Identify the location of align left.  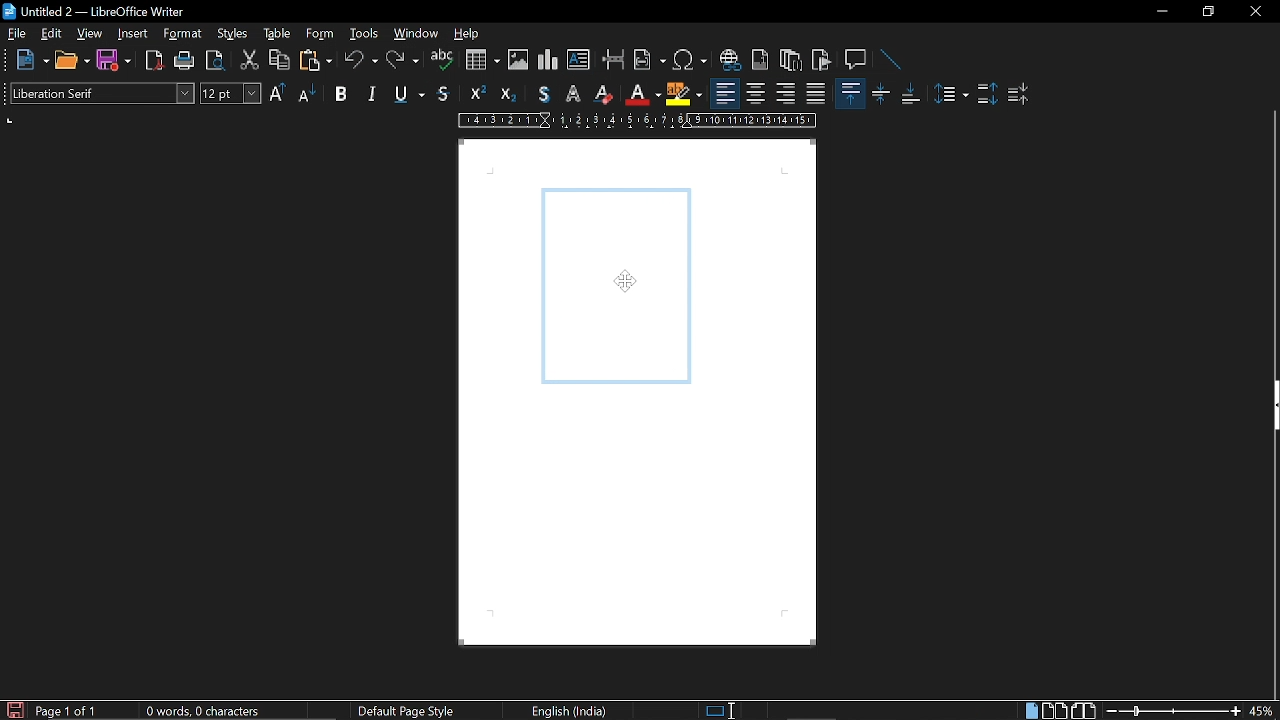
(726, 94).